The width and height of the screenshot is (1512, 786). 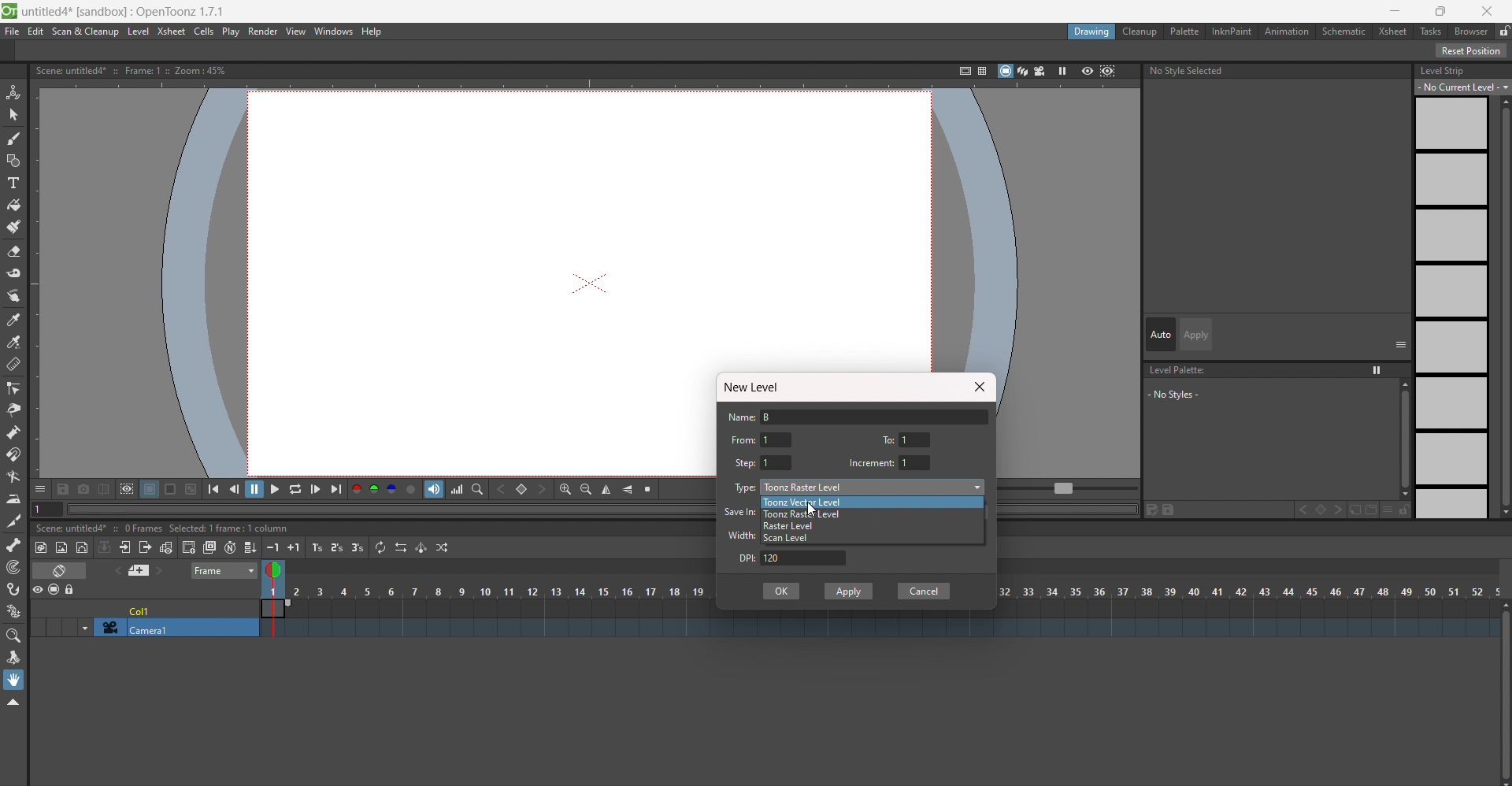 What do you see at coordinates (232, 32) in the screenshot?
I see `play` at bounding box center [232, 32].